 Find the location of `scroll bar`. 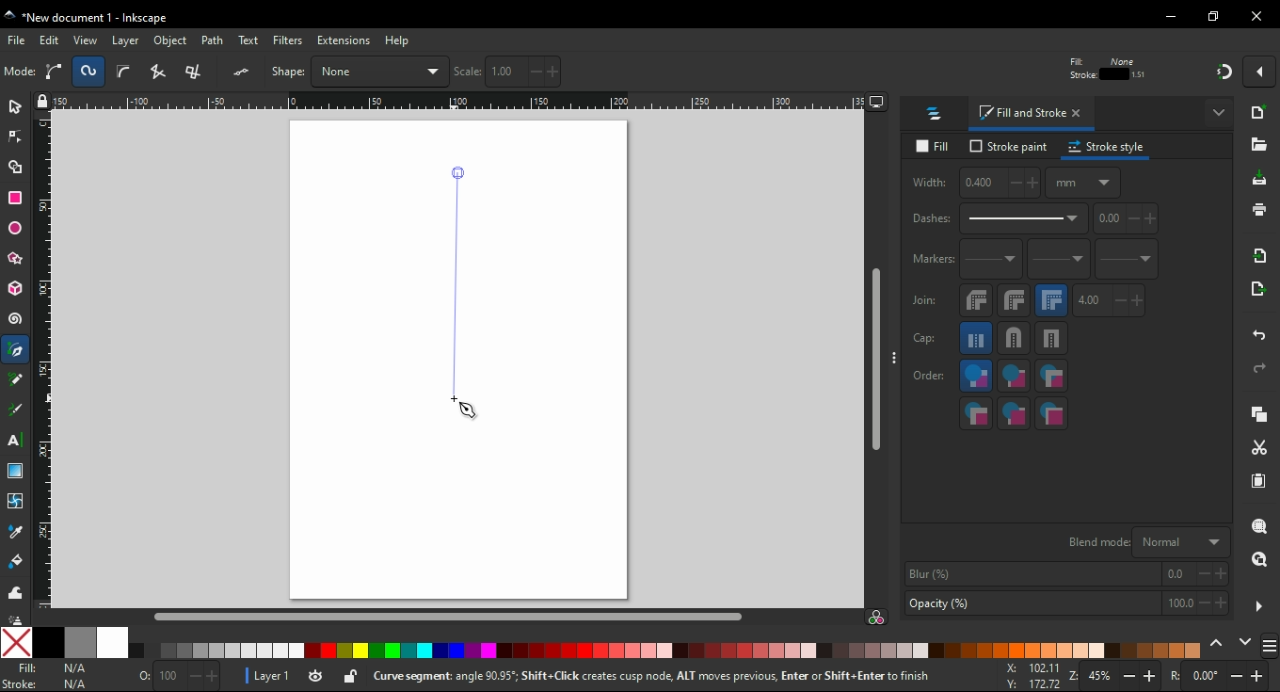

scroll bar is located at coordinates (877, 360).